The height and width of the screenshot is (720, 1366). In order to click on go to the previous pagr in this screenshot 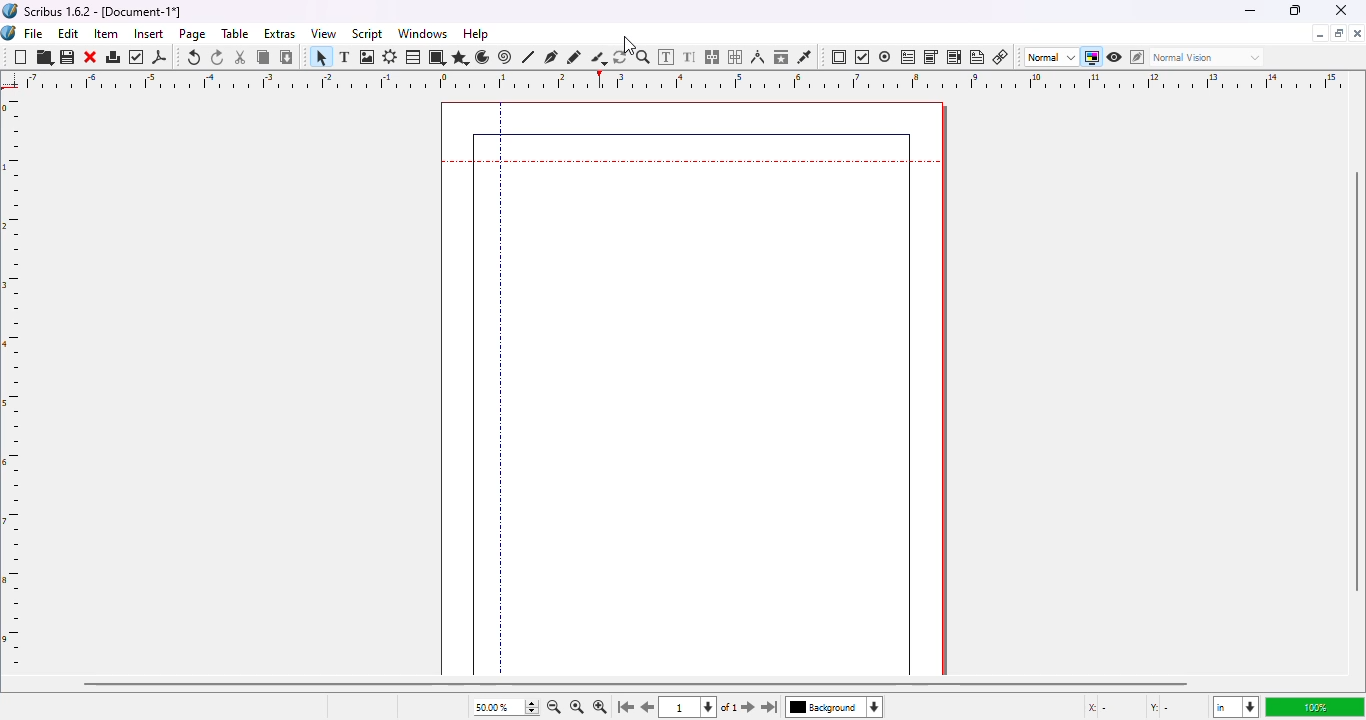, I will do `click(649, 708)`.